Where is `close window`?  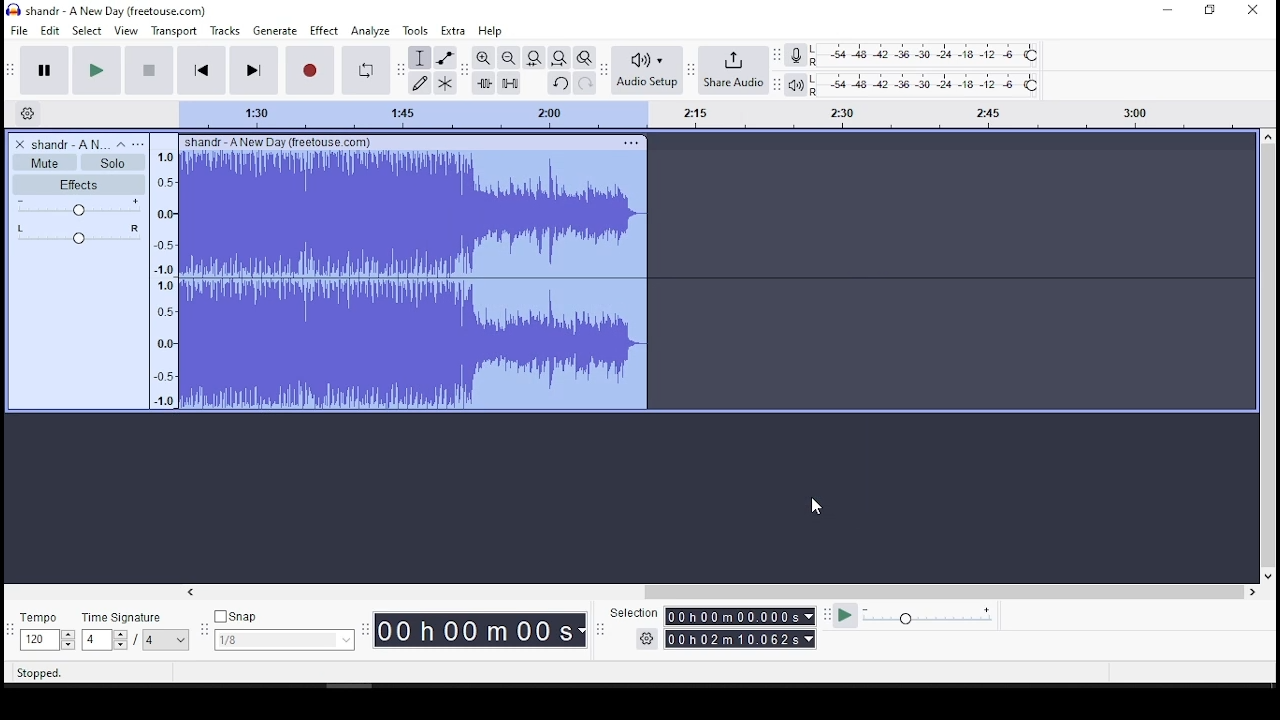
close window is located at coordinates (1255, 11).